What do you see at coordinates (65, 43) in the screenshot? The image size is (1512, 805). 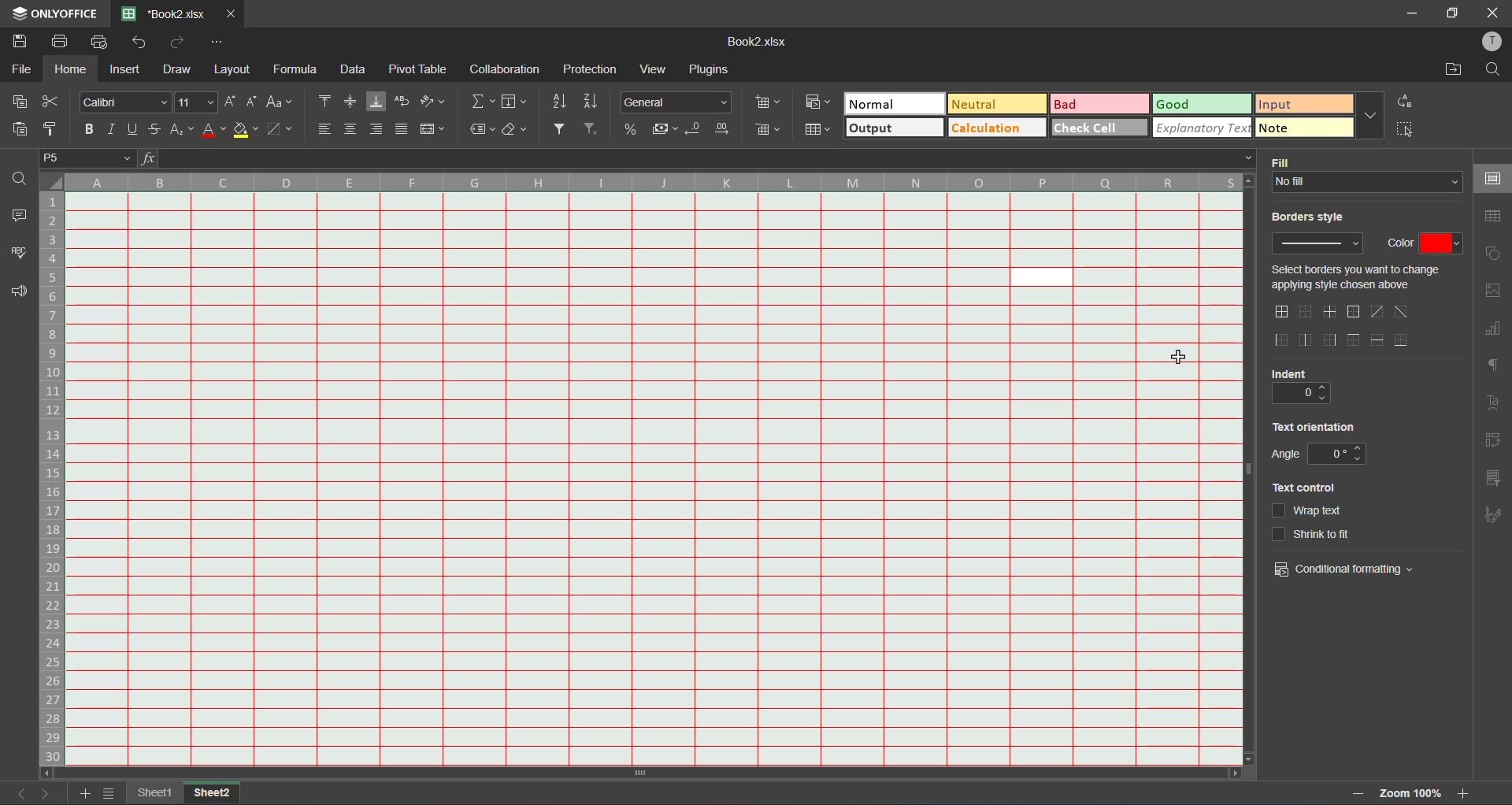 I see `print` at bounding box center [65, 43].